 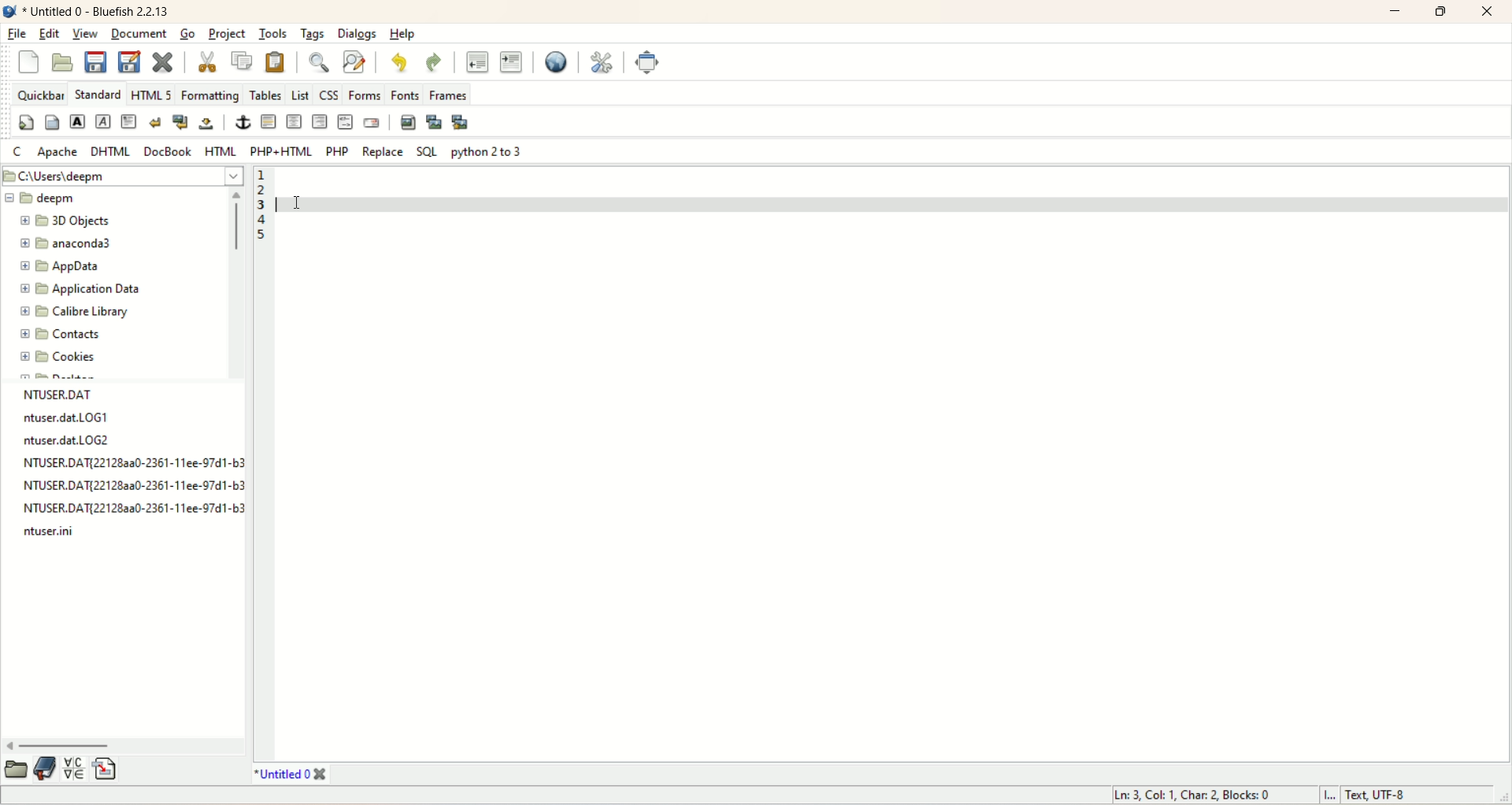 What do you see at coordinates (431, 60) in the screenshot?
I see `redo` at bounding box center [431, 60].